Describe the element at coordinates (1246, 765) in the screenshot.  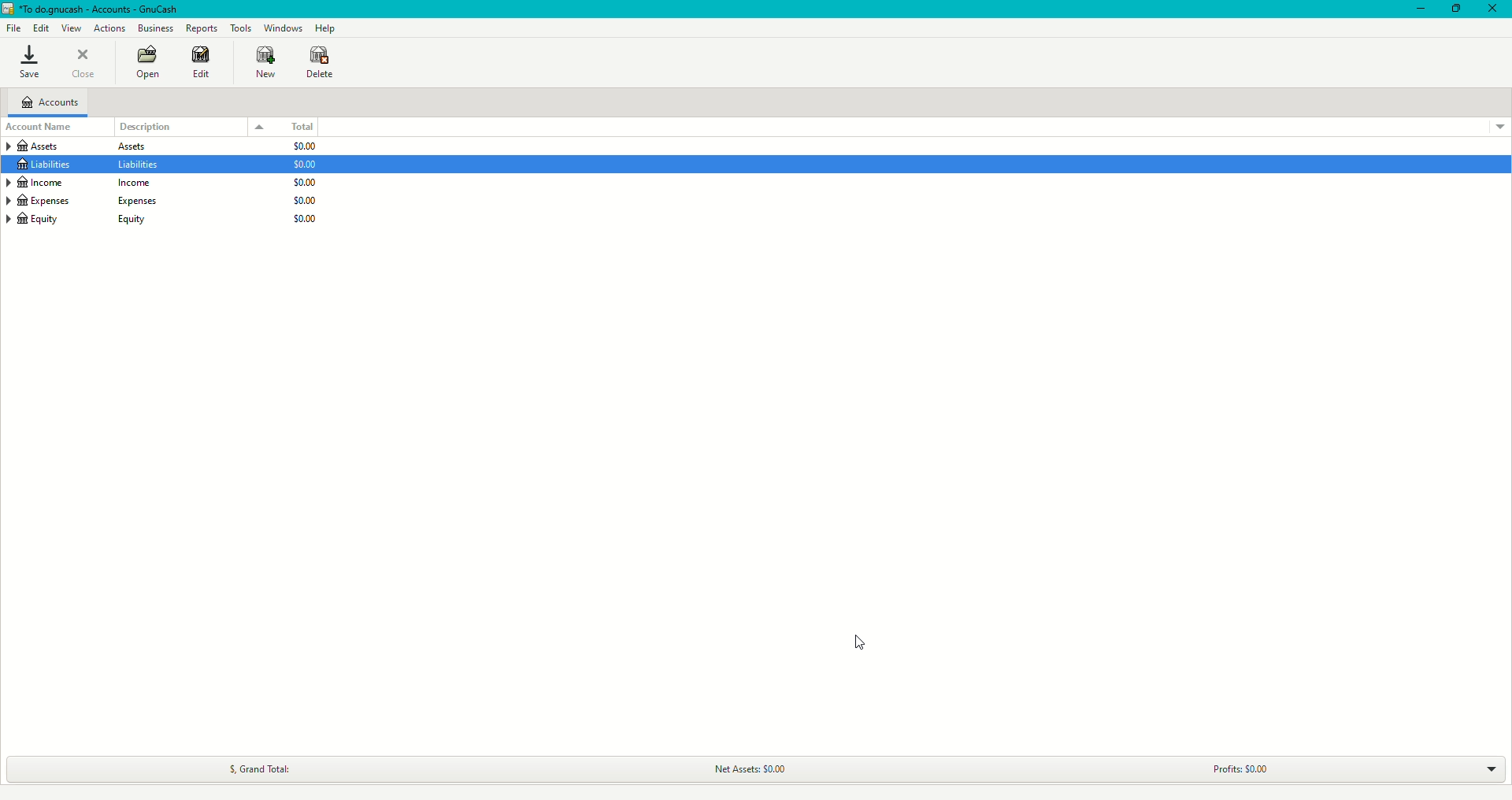
I see `Profits` at that location.